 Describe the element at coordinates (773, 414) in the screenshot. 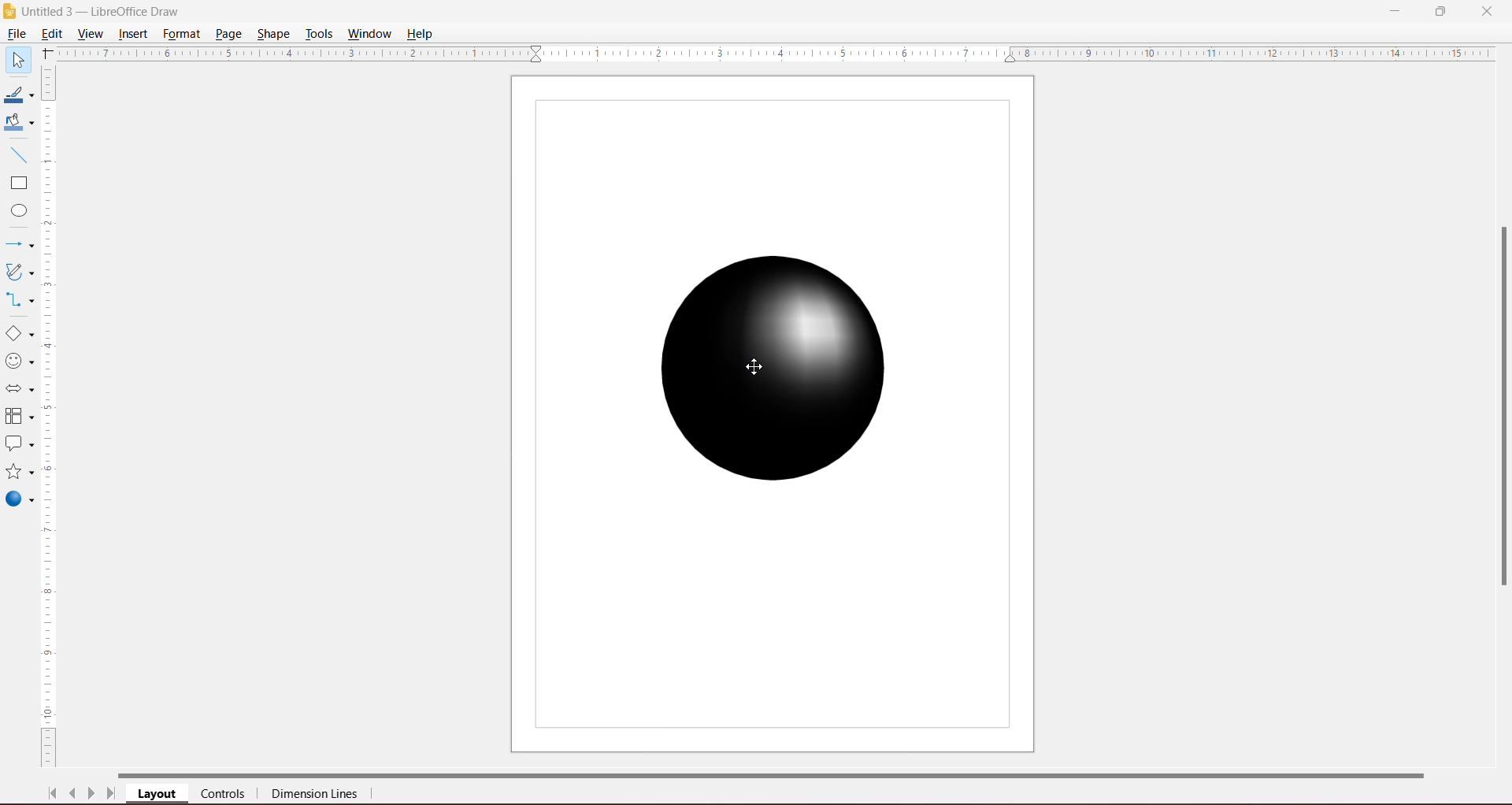

I see `Current Page` at that location.